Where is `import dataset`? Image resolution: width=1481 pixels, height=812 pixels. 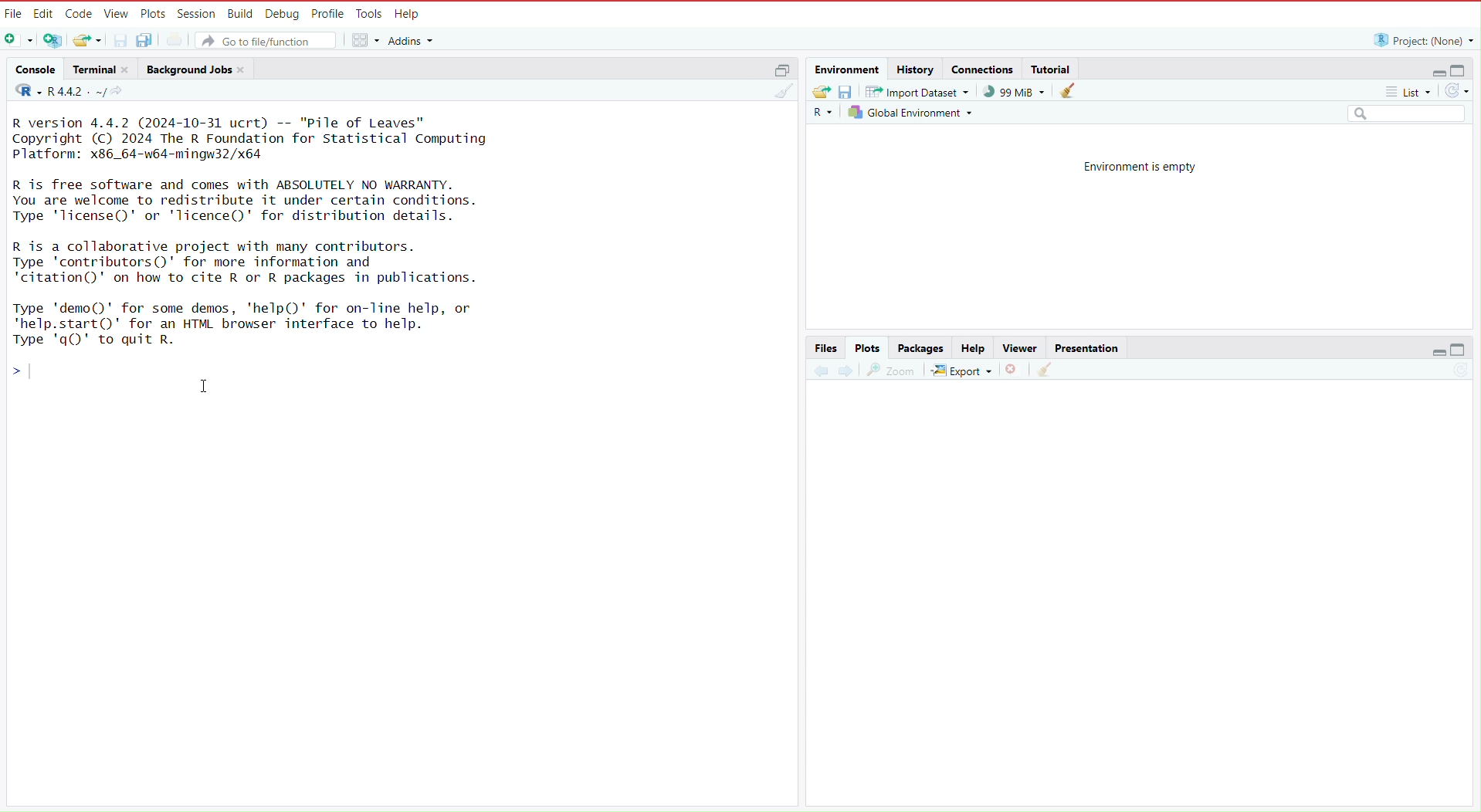 import dataset is located at coordinates (917, 93).